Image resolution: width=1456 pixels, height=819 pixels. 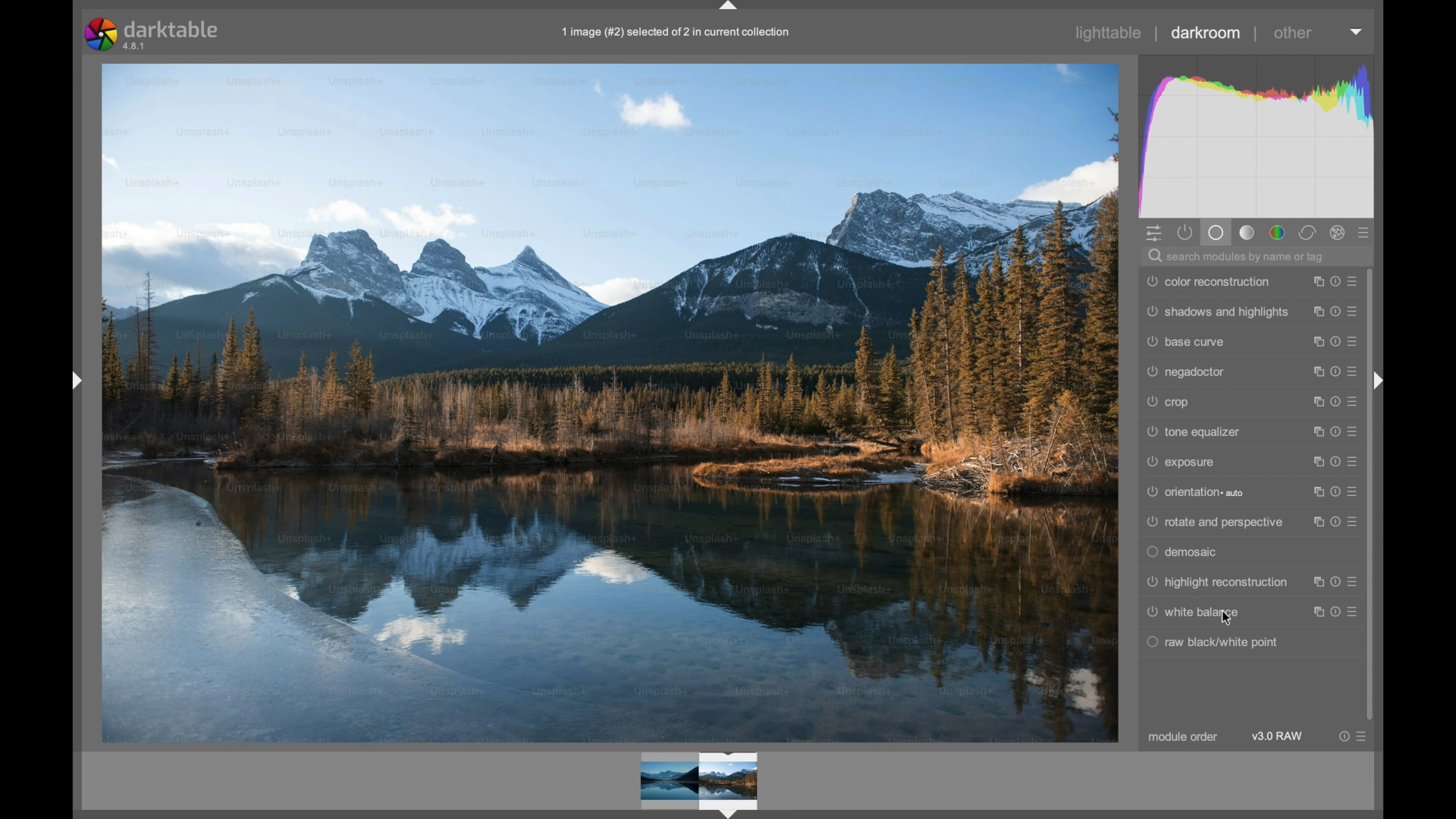 What do you see at coordinates (1295, 33) in the screenshot?
I see `other` at bounding box center [1295, 33].